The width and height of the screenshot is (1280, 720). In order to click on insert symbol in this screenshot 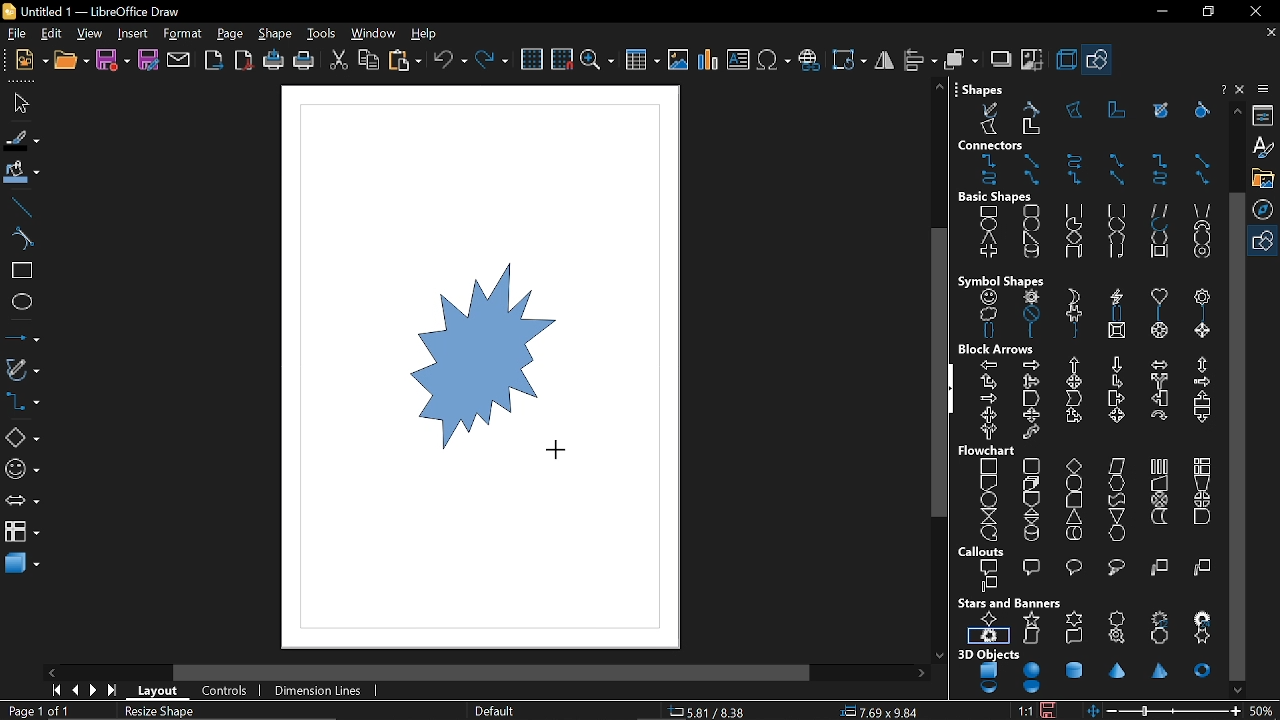, I will do `click(774, 60)`.